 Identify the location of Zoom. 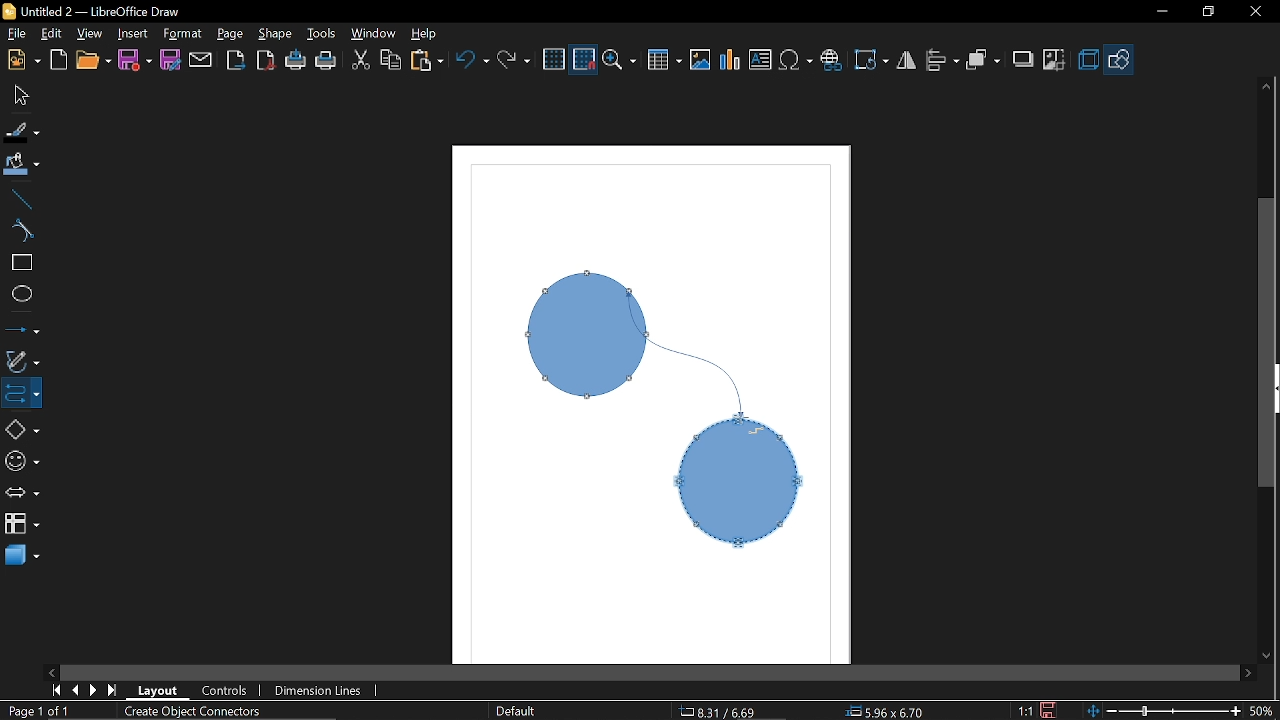
(622, 59).